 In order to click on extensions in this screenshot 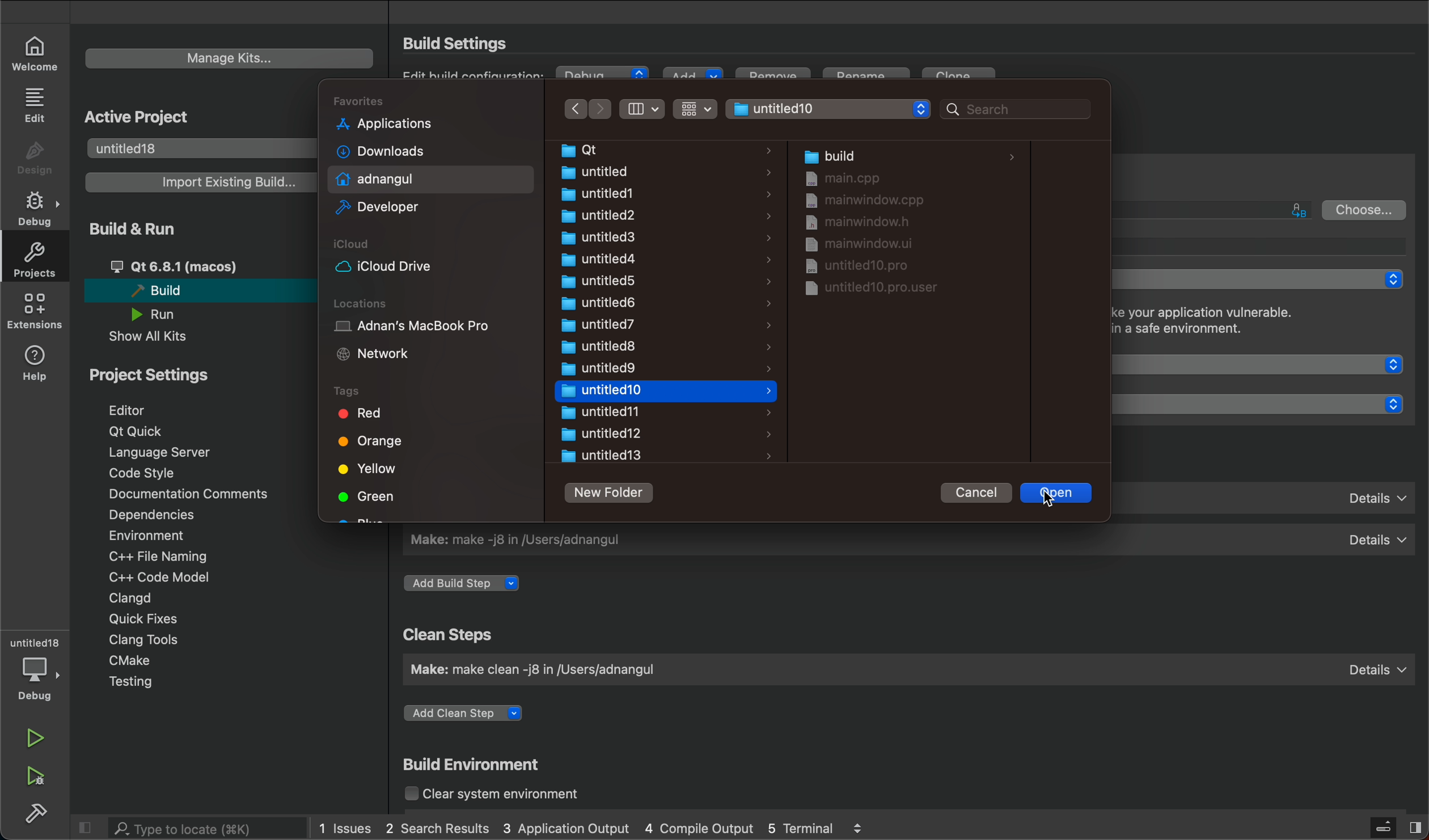, I will do `click(35, 315)`.